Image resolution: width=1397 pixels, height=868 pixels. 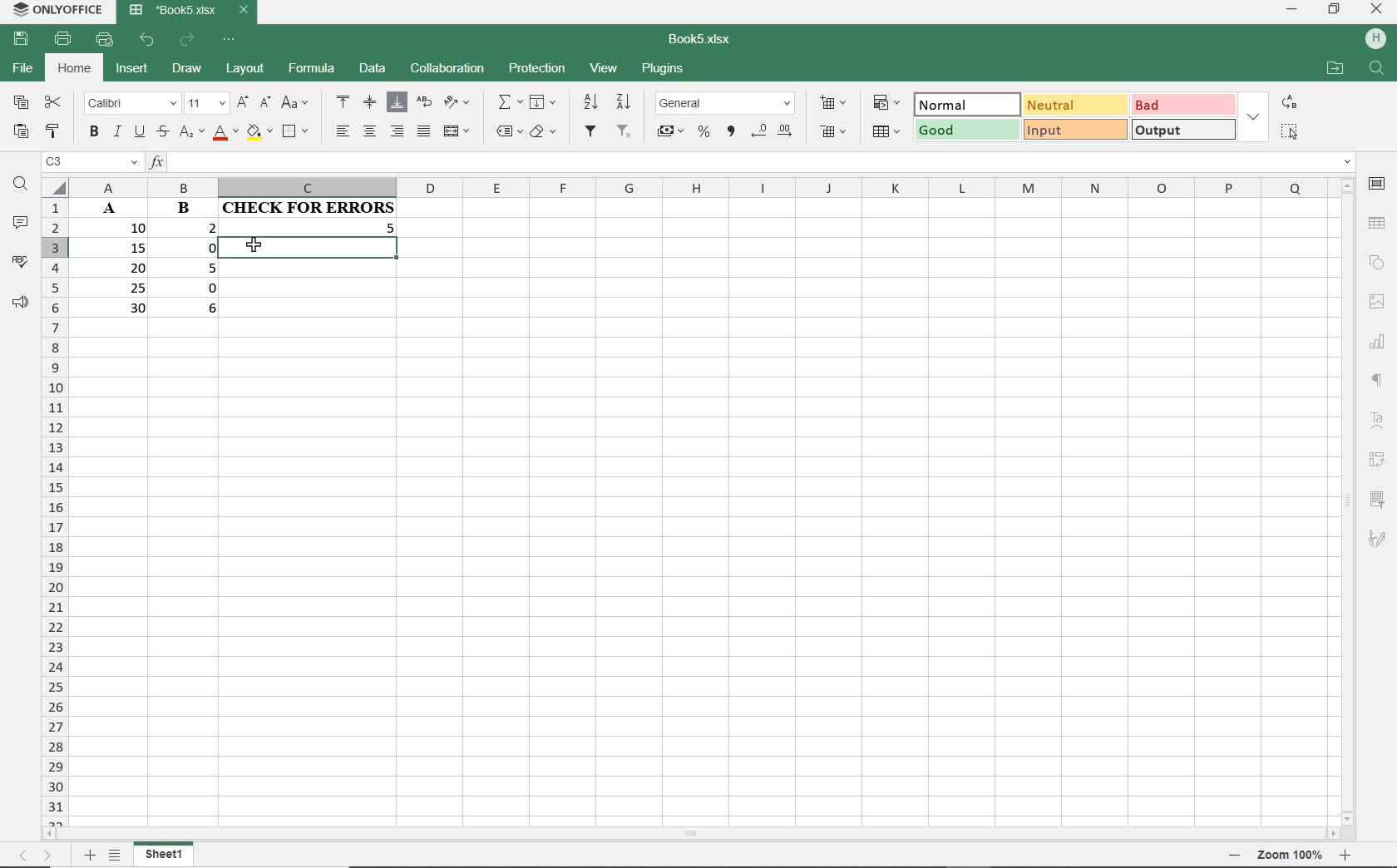 I want to click on PERCENT STYLE, so click(x=705, y=132).